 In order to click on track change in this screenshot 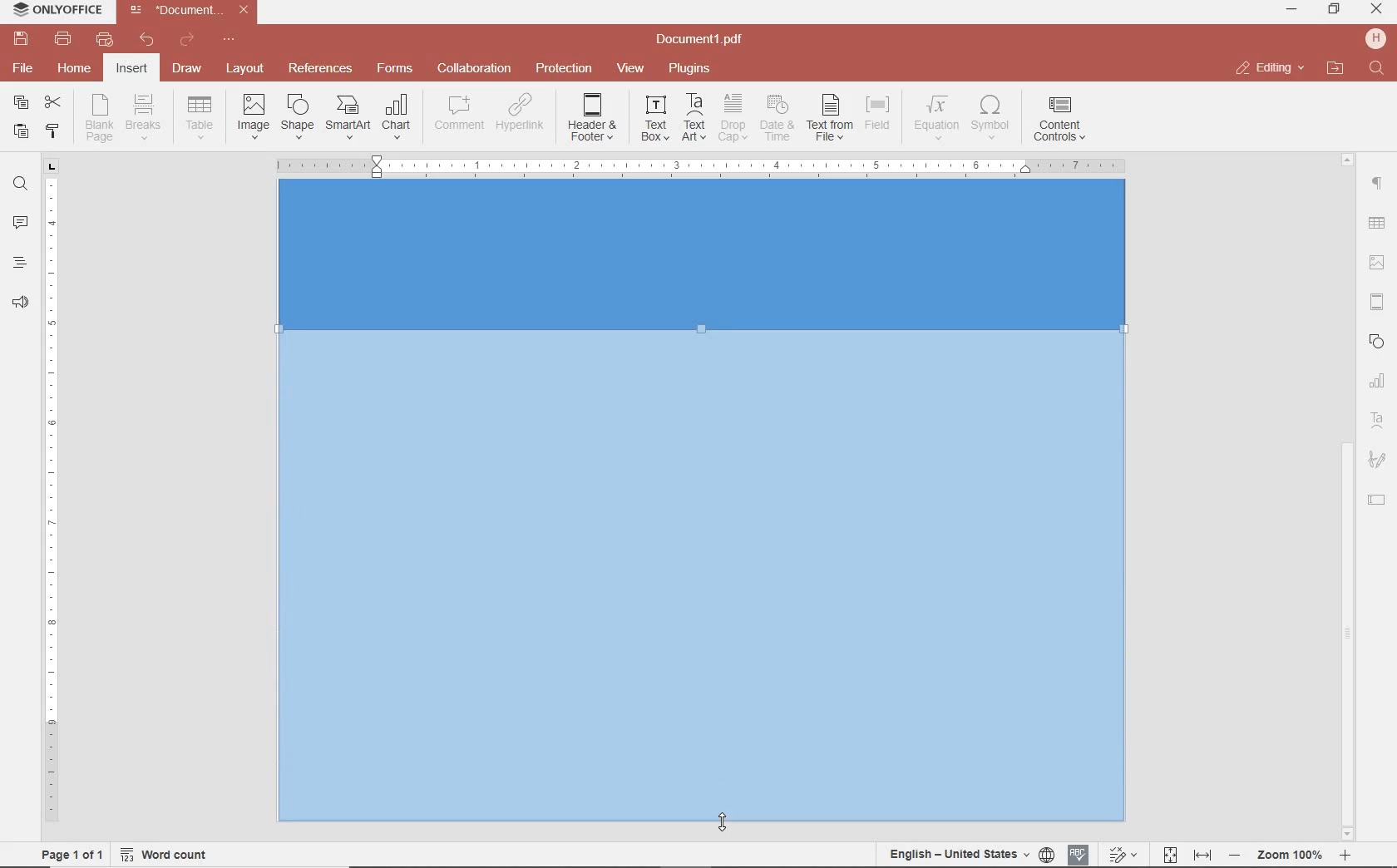, I will do `click(1121, 856)`.